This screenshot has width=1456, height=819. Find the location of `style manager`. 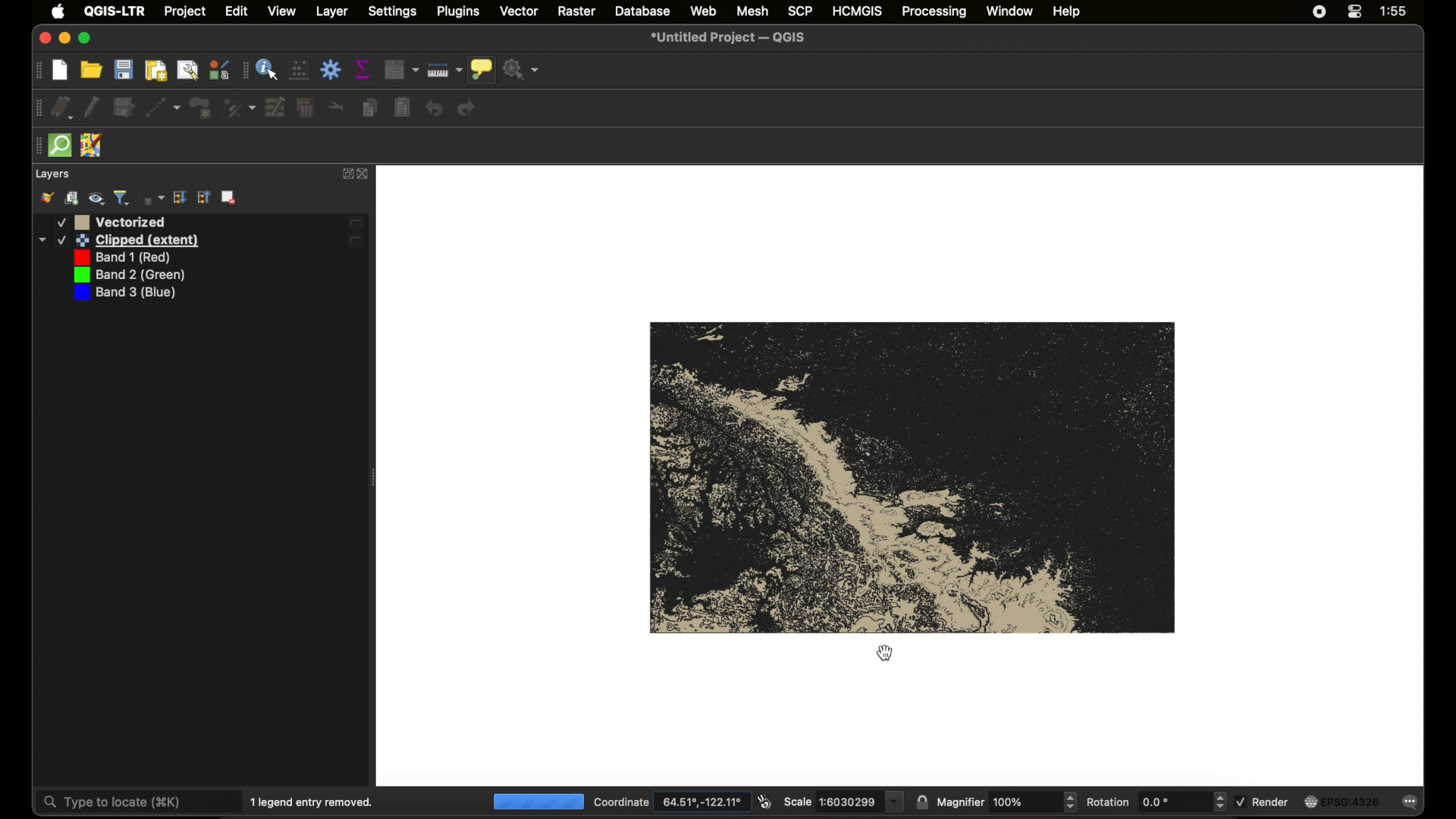

style manager is located at coordinates (220, 70).